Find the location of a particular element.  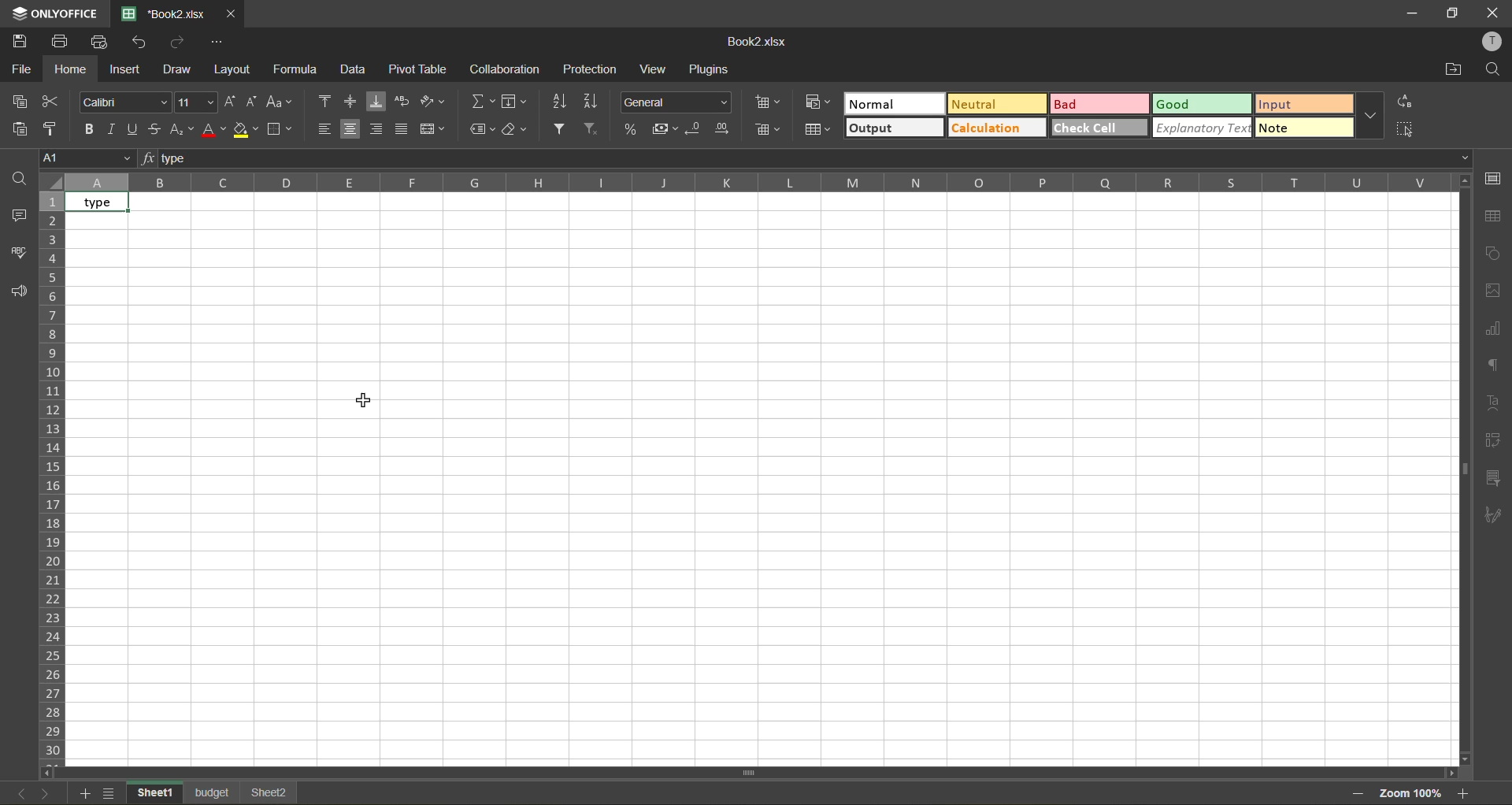

conditional formatting is located at coordinates (816, 102).